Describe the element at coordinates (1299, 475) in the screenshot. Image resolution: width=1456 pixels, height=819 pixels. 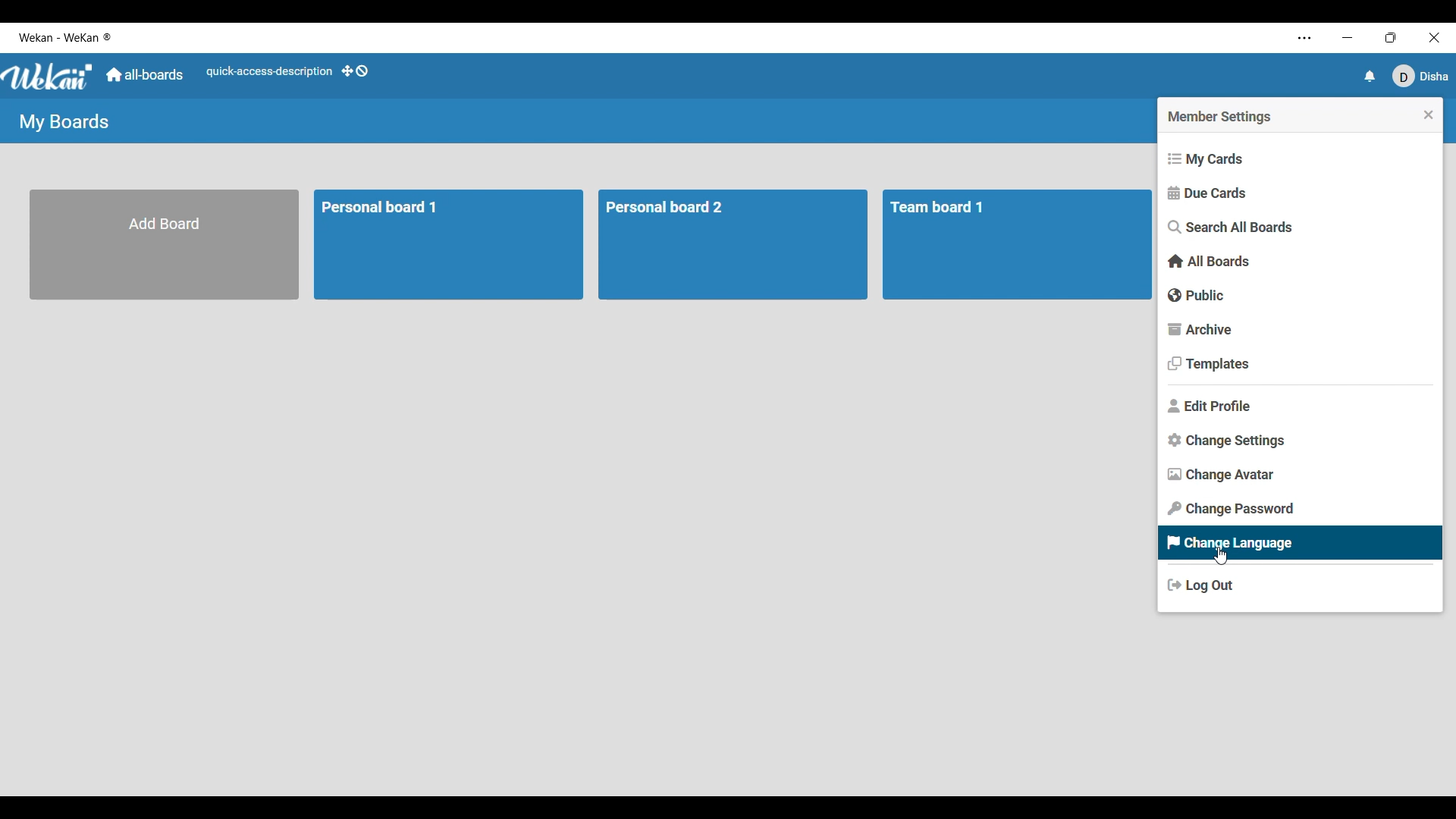
I see `Change avatar` at that location.